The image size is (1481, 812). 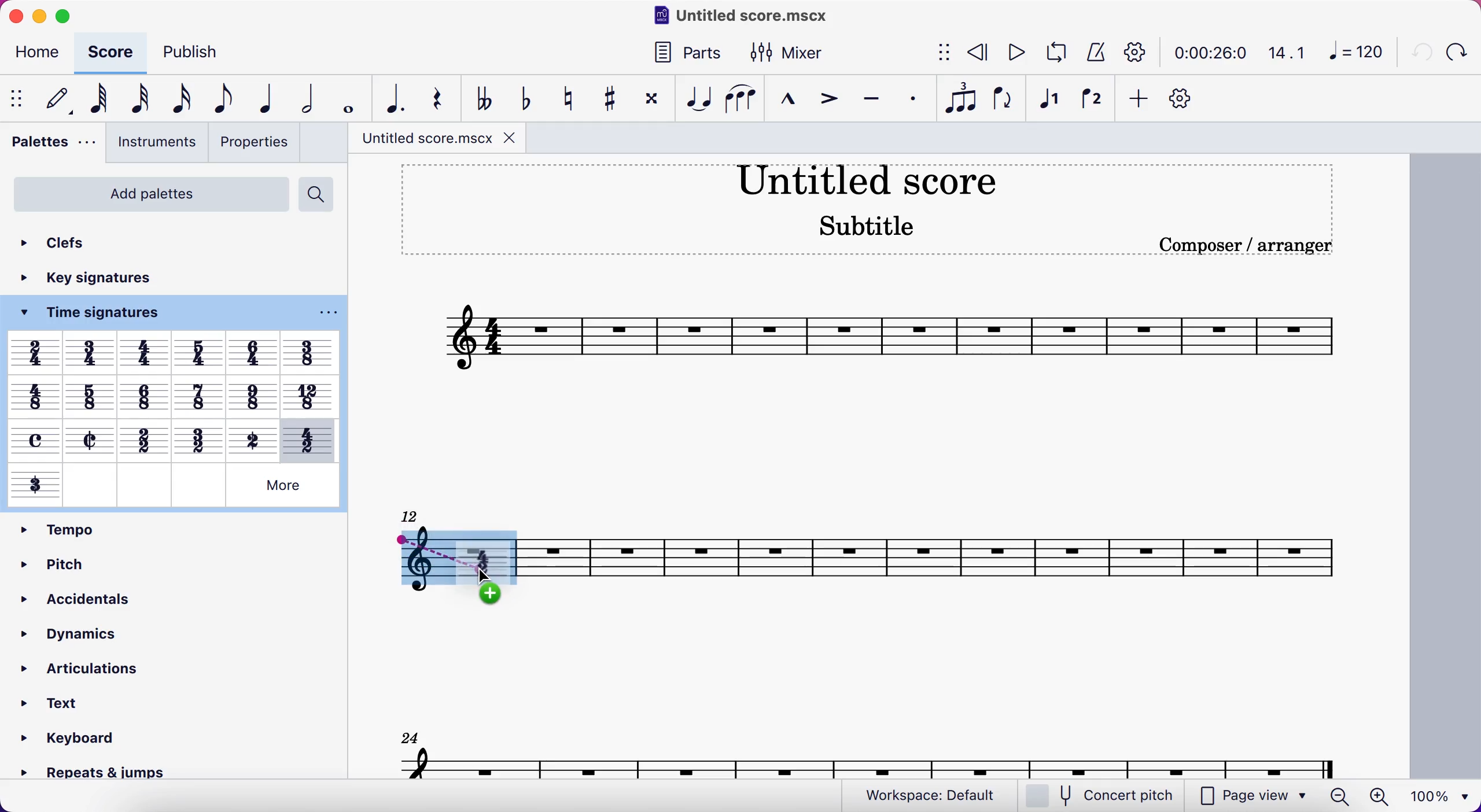 What do you see at coordinates (216, 99) in the screenshot?
I see `eight note` at bounding box center [216, 99].